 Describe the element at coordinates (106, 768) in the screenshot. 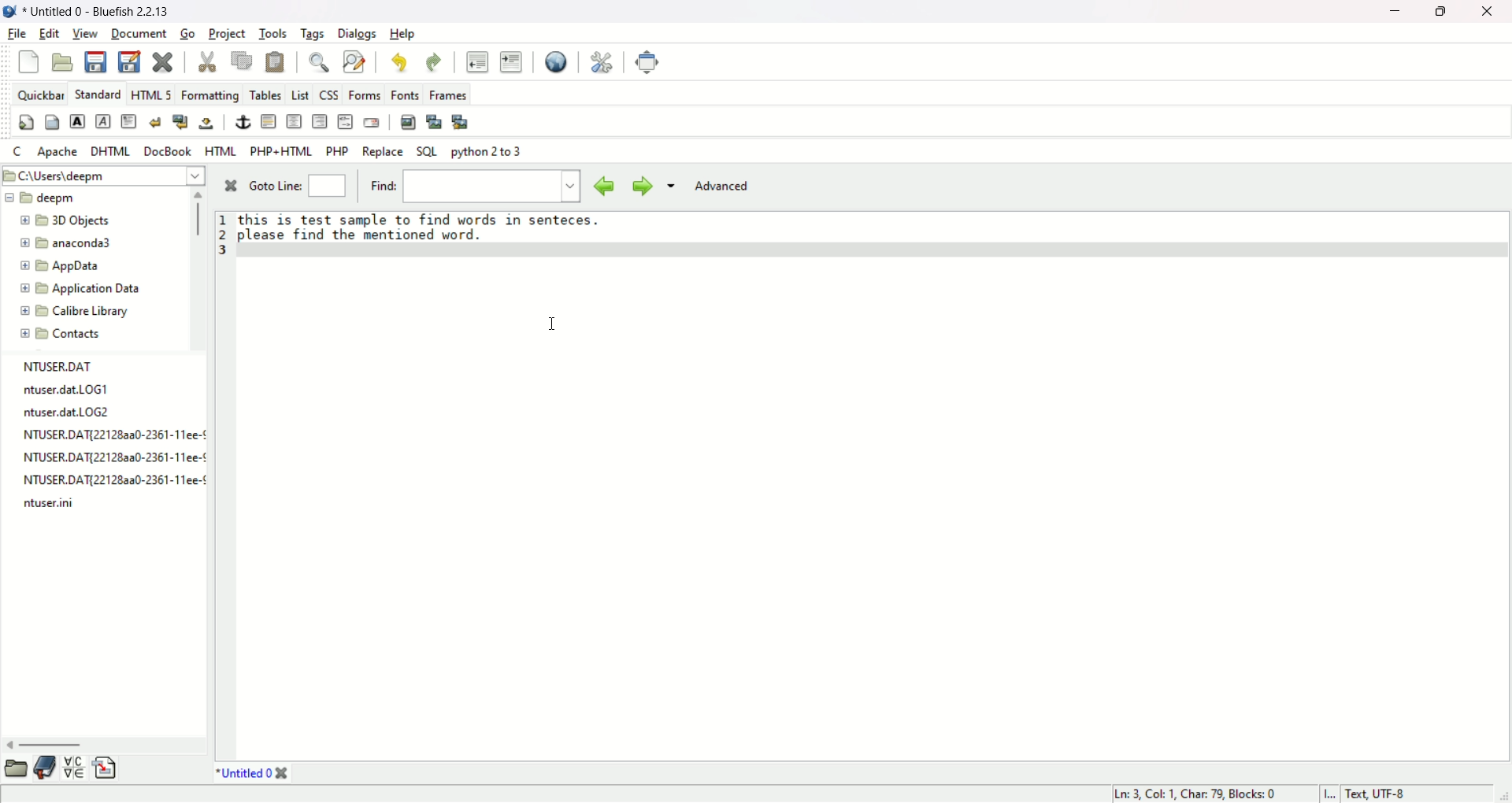

I see `insert file` at that location.